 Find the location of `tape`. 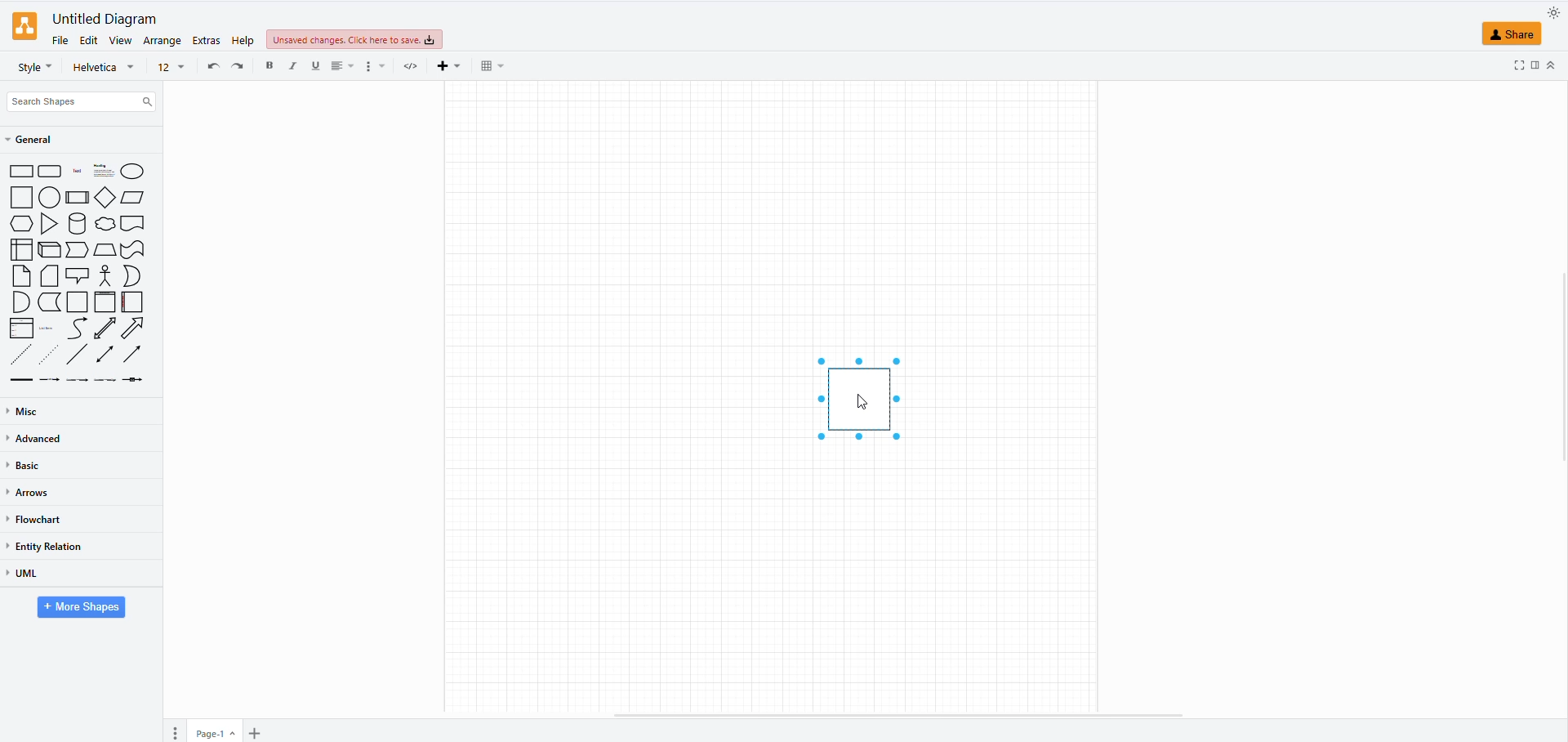

tape is located at coordinates (134, 250).